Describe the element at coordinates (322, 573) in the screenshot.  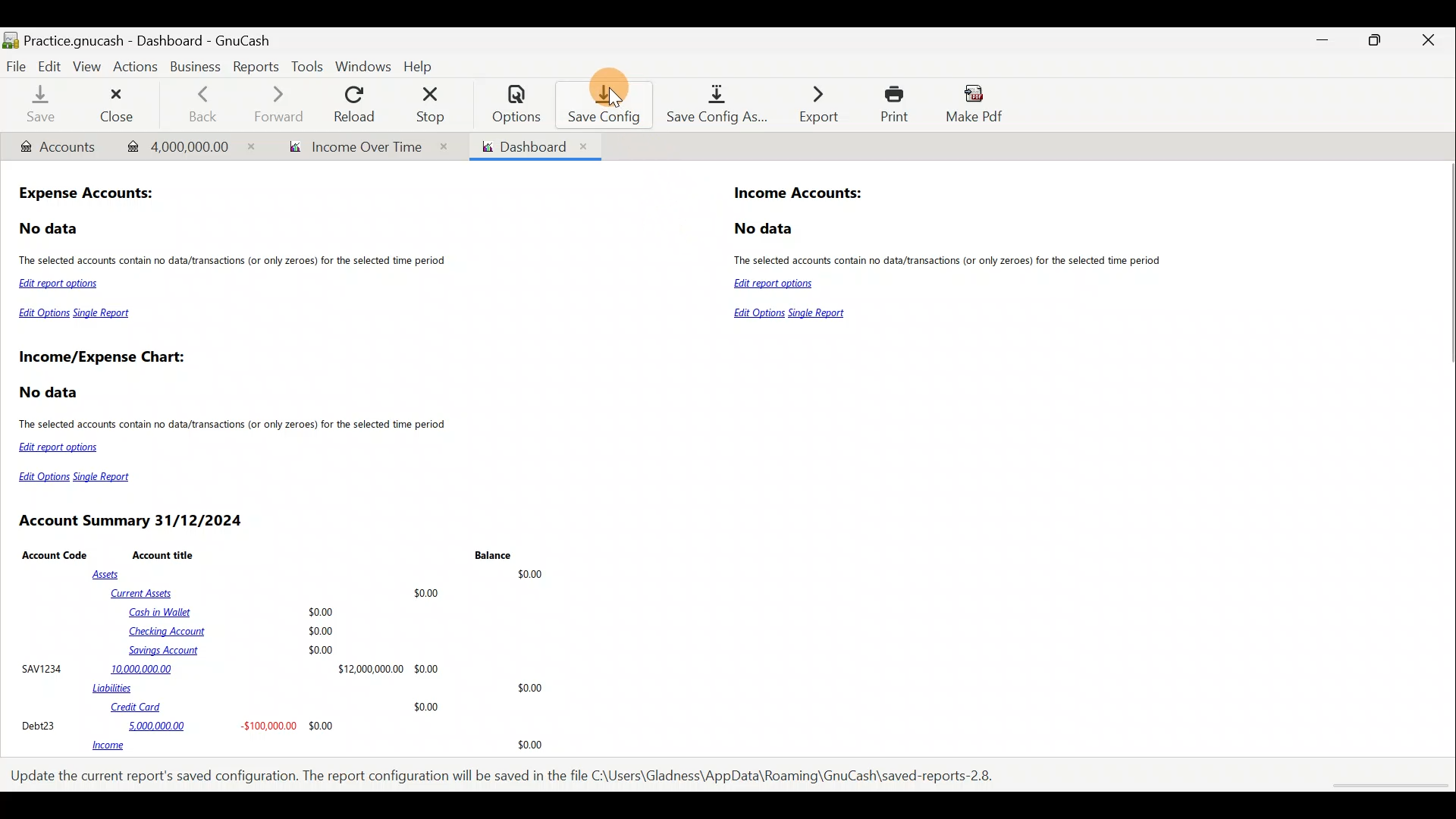
I see `Assets $0.00` at that location.